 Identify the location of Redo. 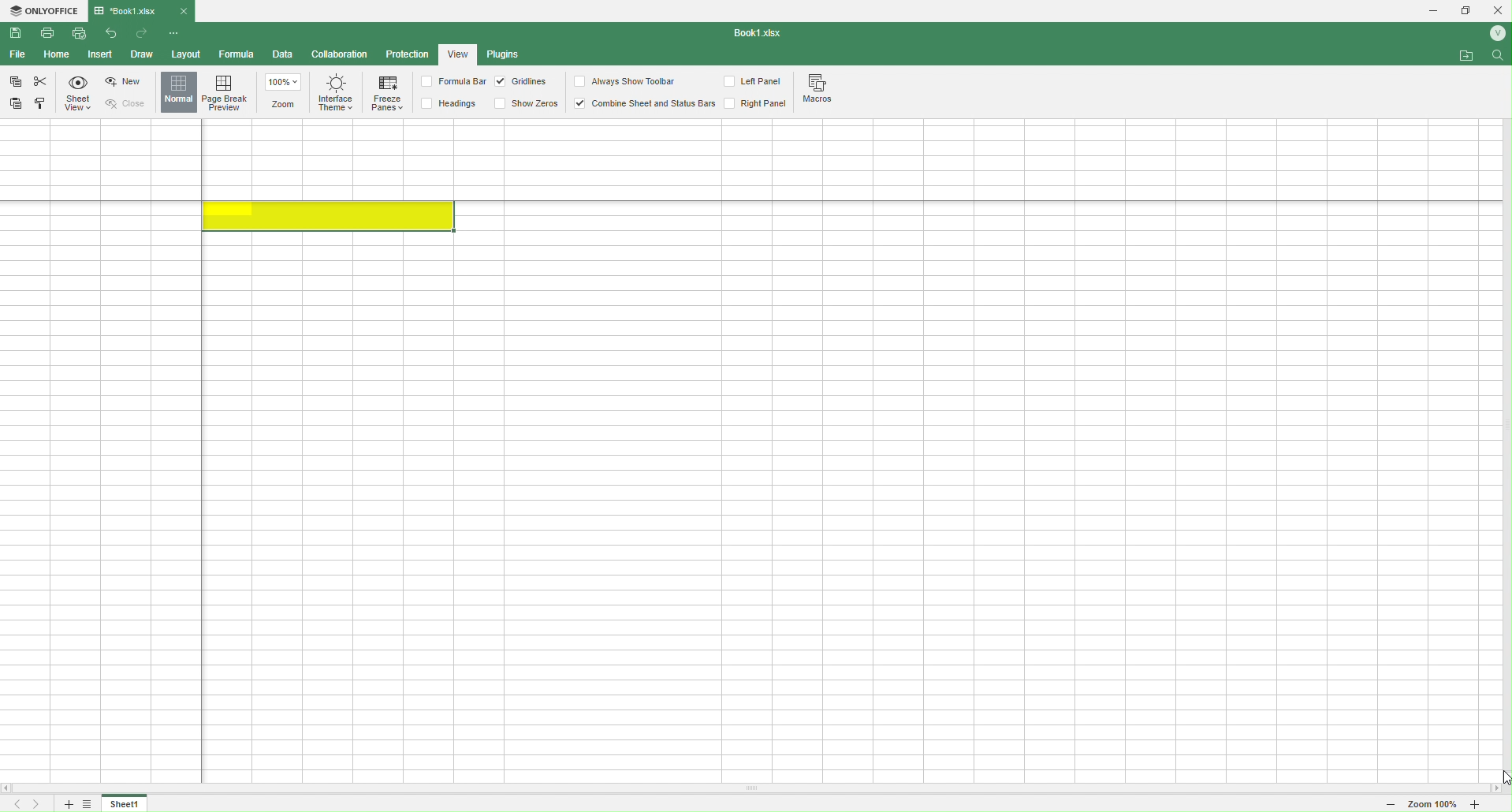
(143, 35).